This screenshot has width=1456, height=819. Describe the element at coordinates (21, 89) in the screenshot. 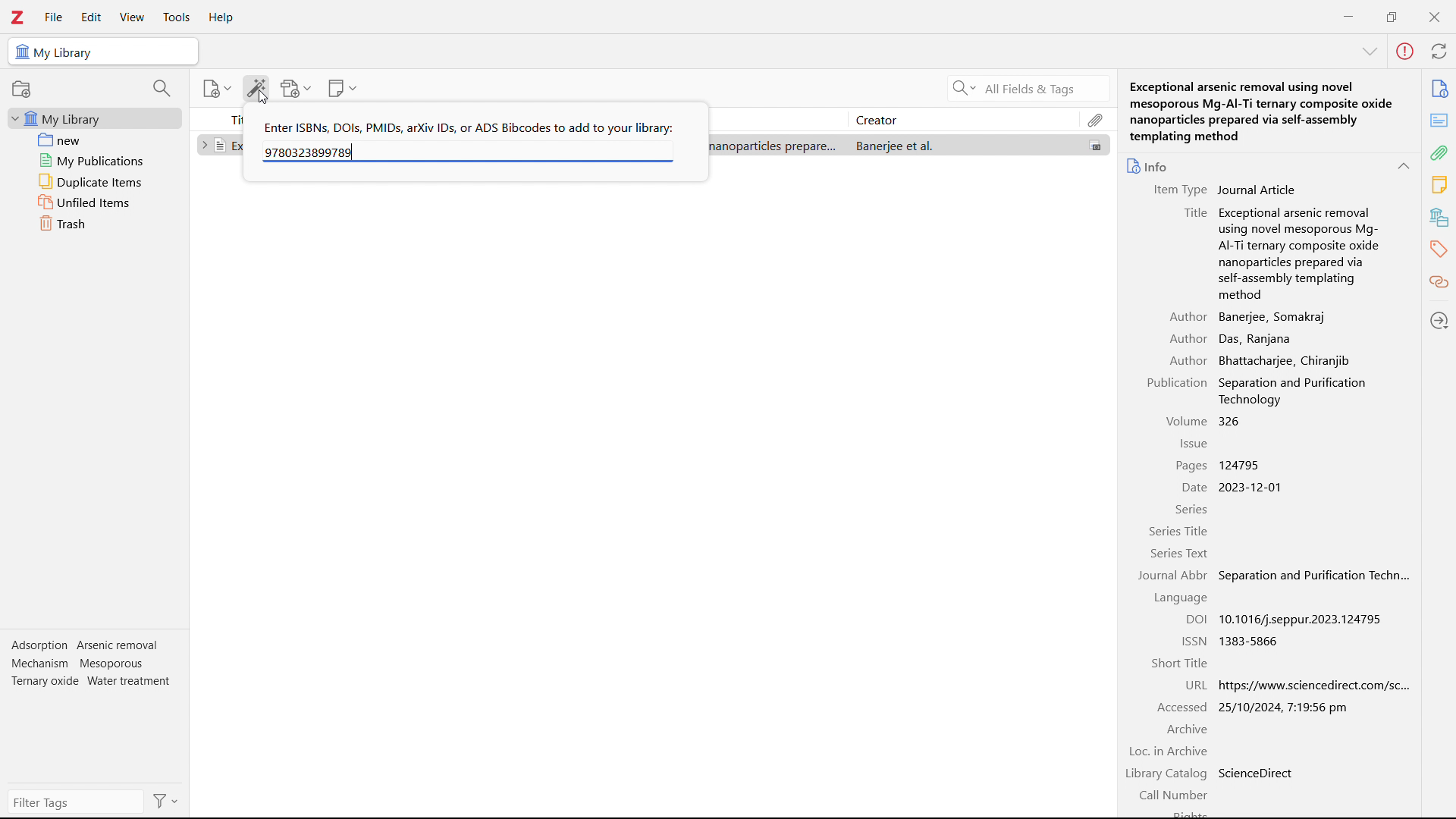

I see `new collection` at that location.